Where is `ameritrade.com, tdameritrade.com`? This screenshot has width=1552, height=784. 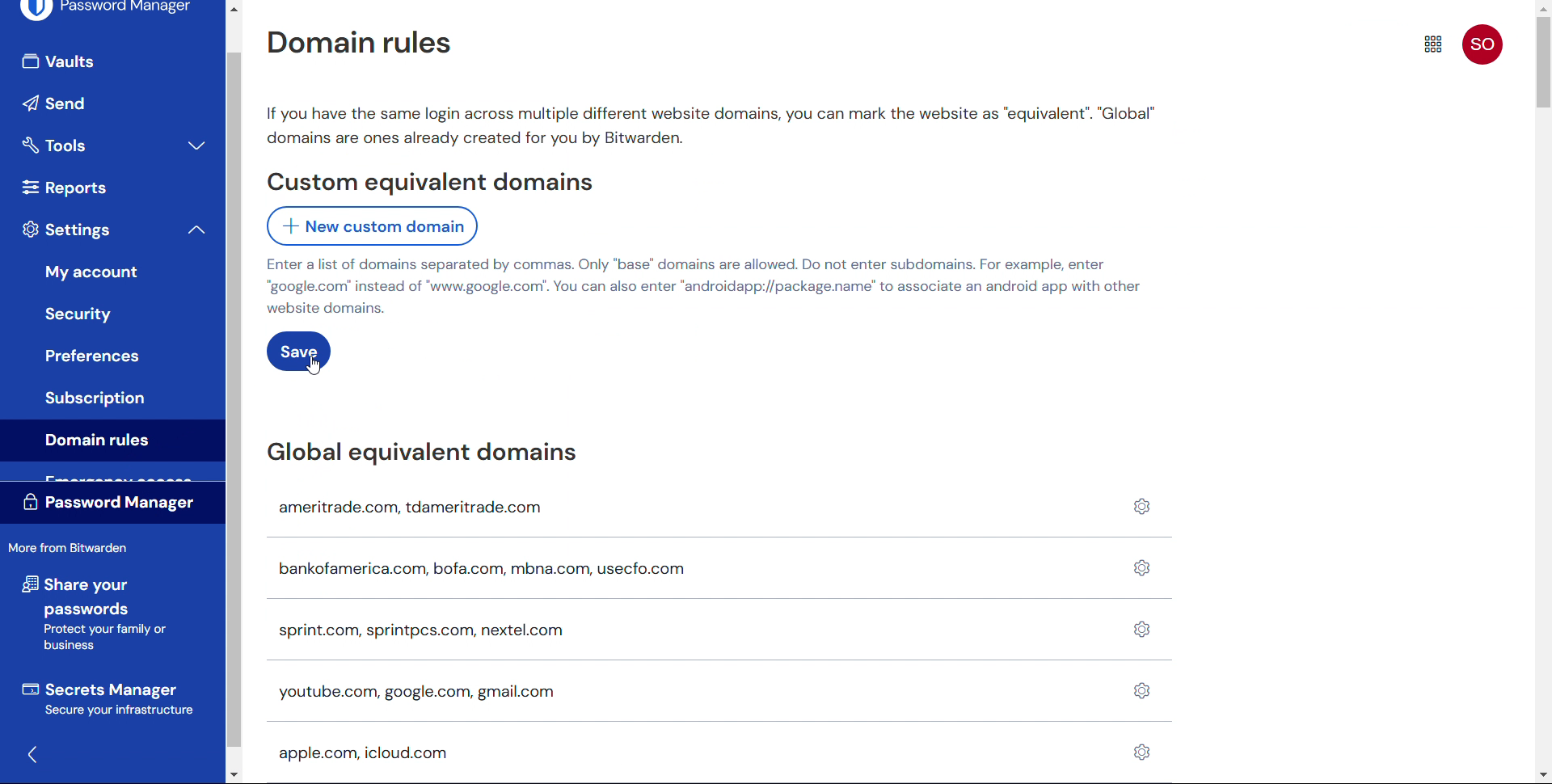
ameritrade.com, tdameritrade.com is located at coordinates (415, 508).